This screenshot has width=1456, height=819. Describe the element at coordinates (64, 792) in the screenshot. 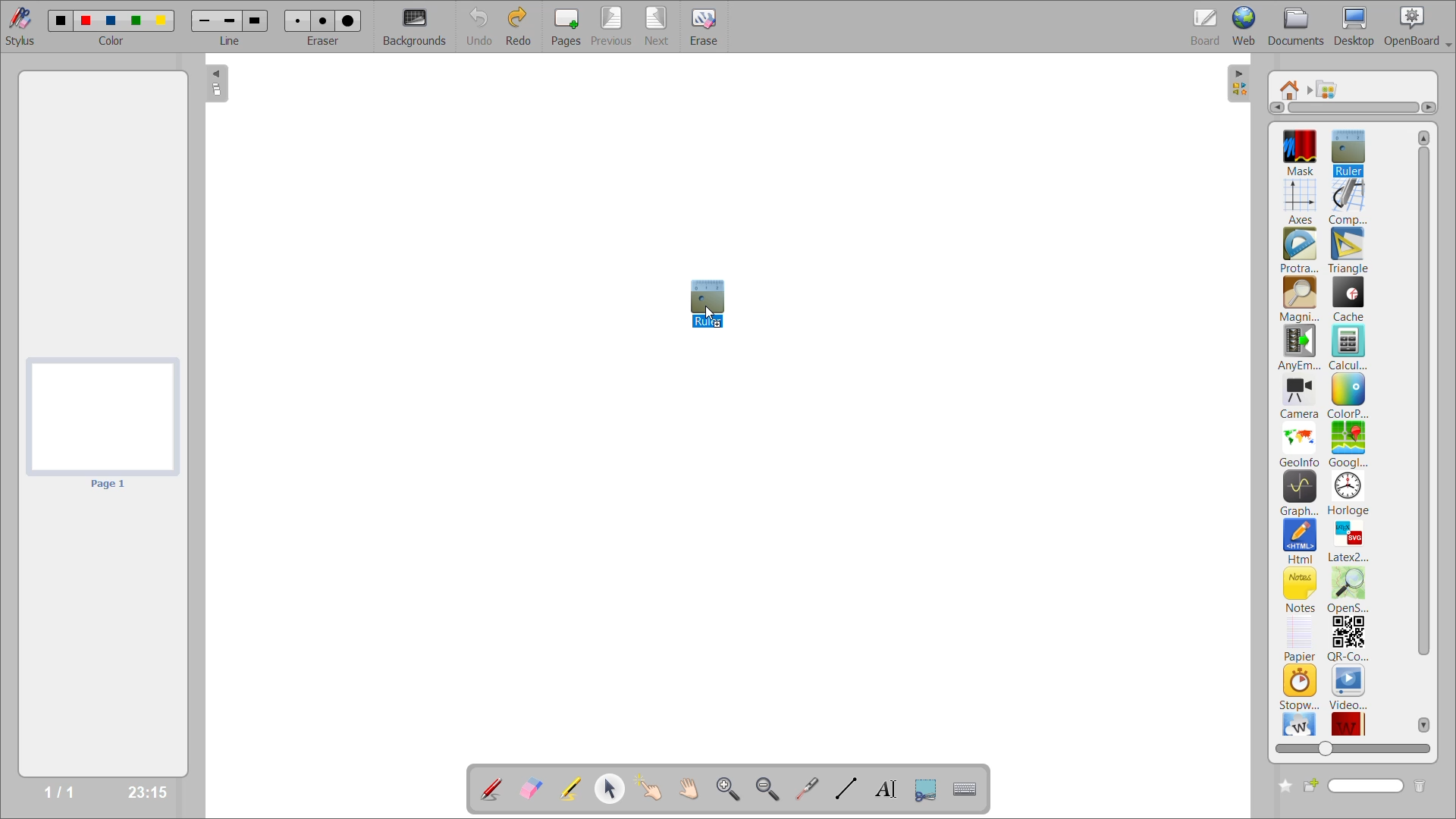

I see `1/1` at that location.